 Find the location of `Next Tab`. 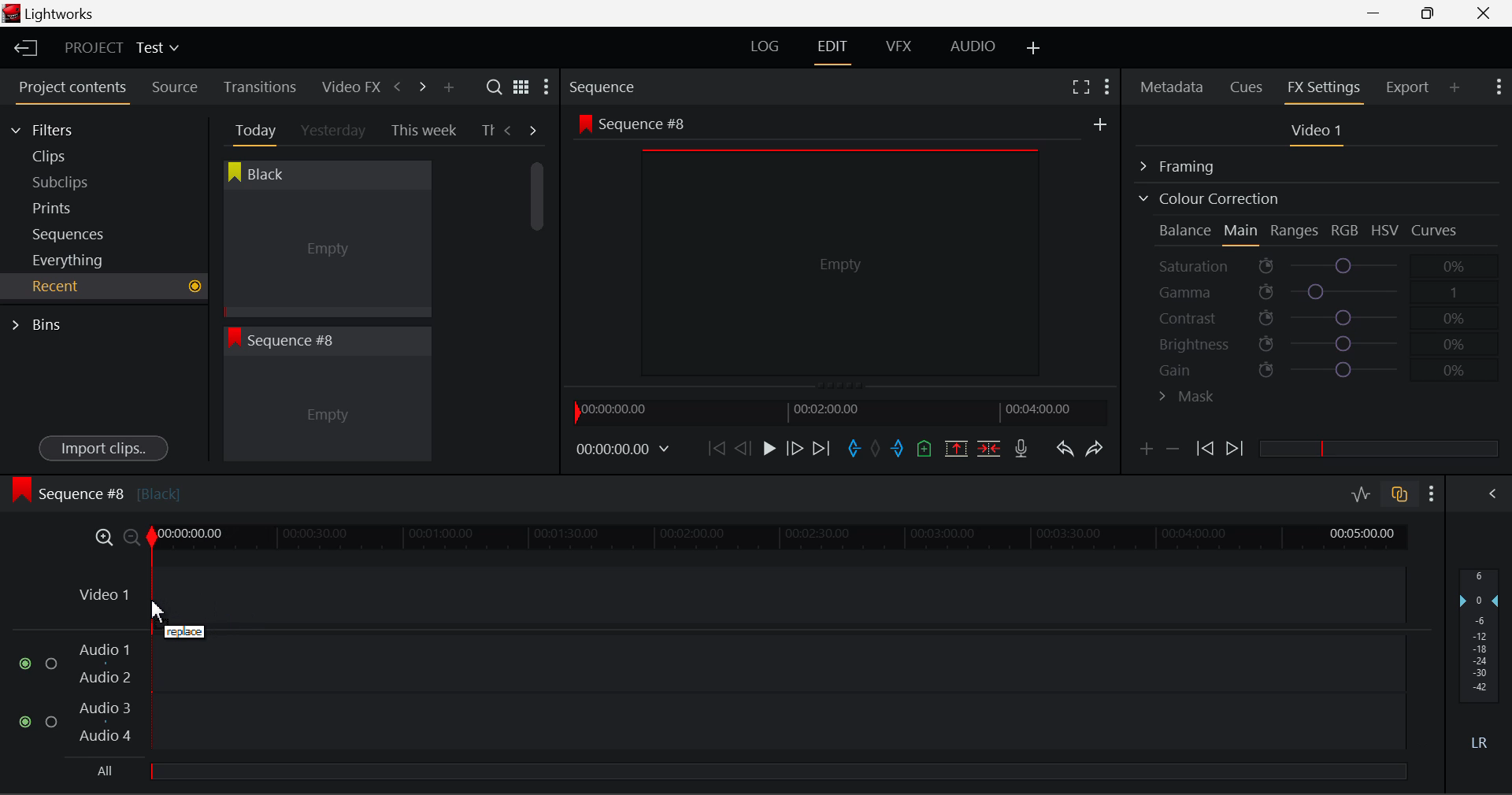

Next Tab is located at coordinates (534, 129).